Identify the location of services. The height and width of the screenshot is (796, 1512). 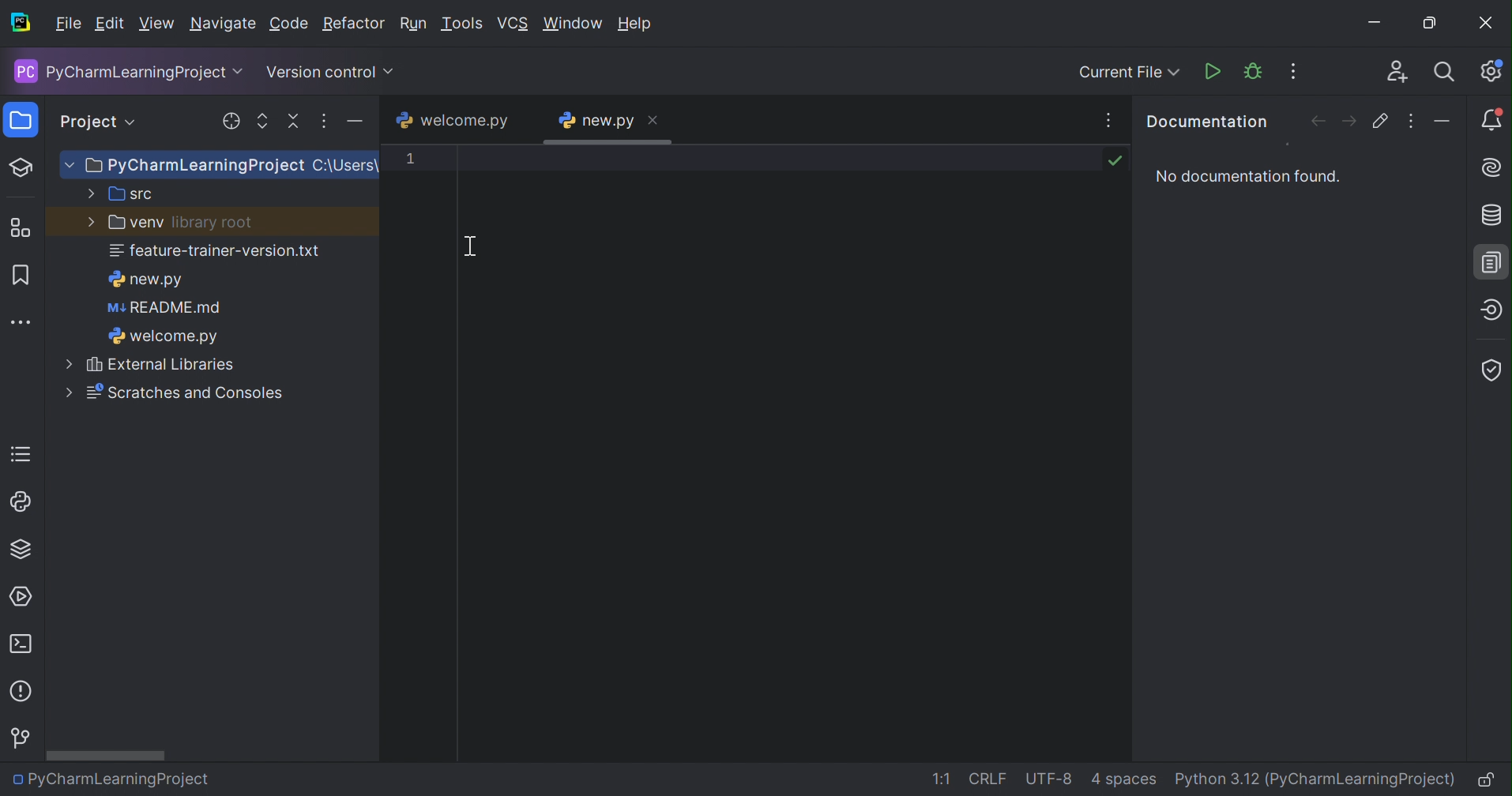
(24, 595).